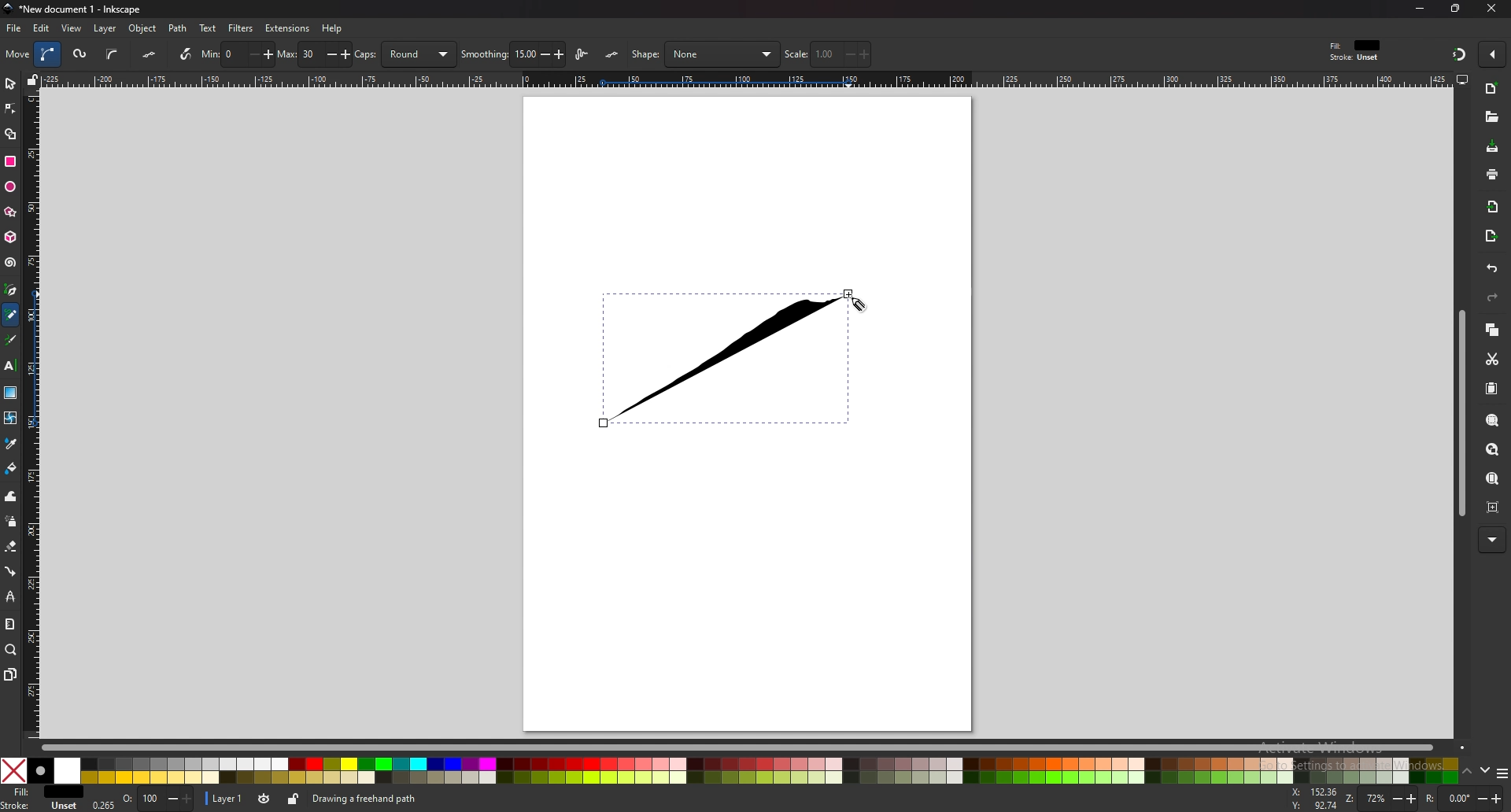 This screenshot has width=1511, height=812. I want to click on open, so click(1493, 116).